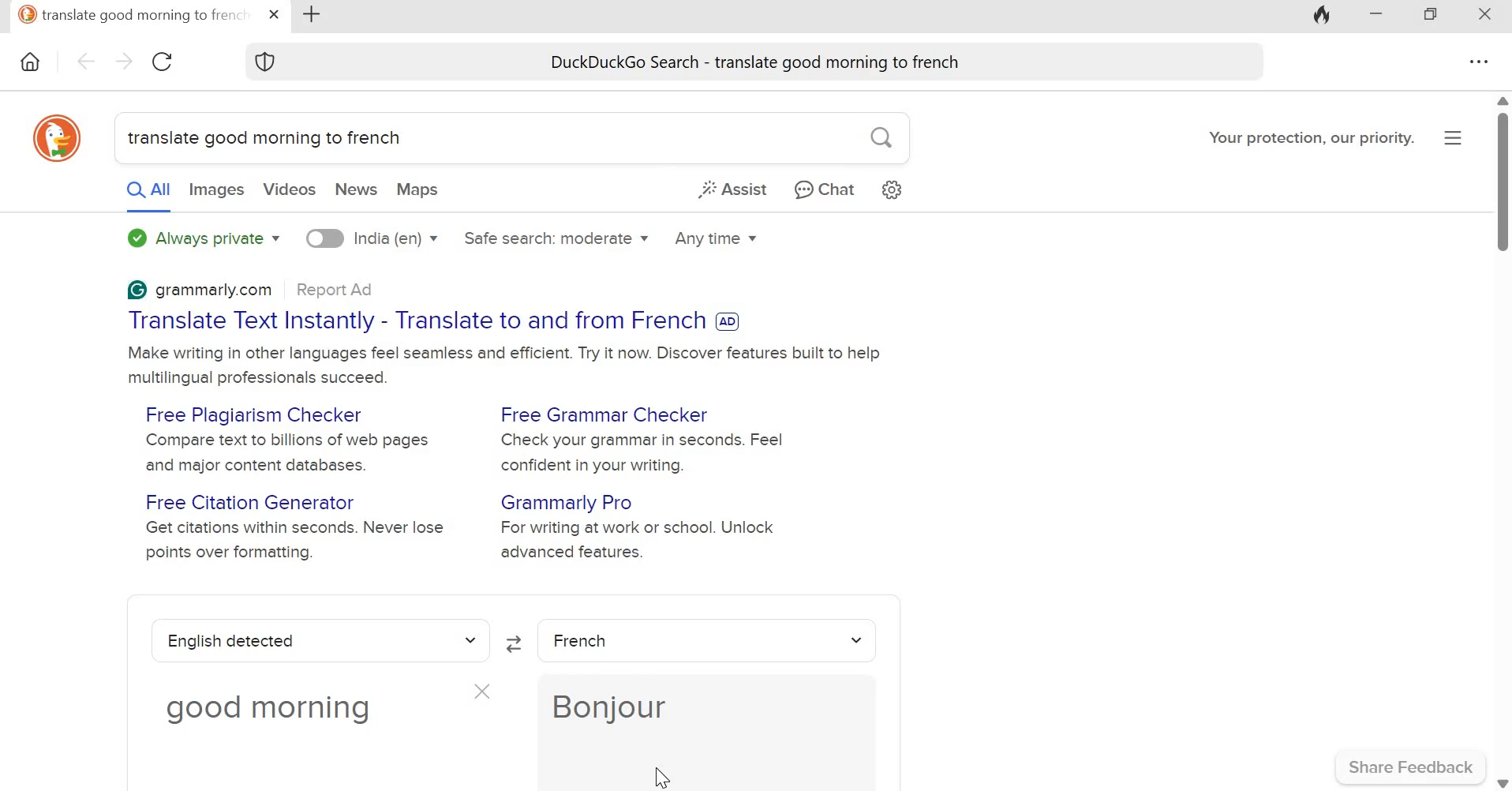 This screenshot has height=791, width=1512. Describe the element at coordinates (1433, 15) in the screenshot. I see `Maximize` at that location.